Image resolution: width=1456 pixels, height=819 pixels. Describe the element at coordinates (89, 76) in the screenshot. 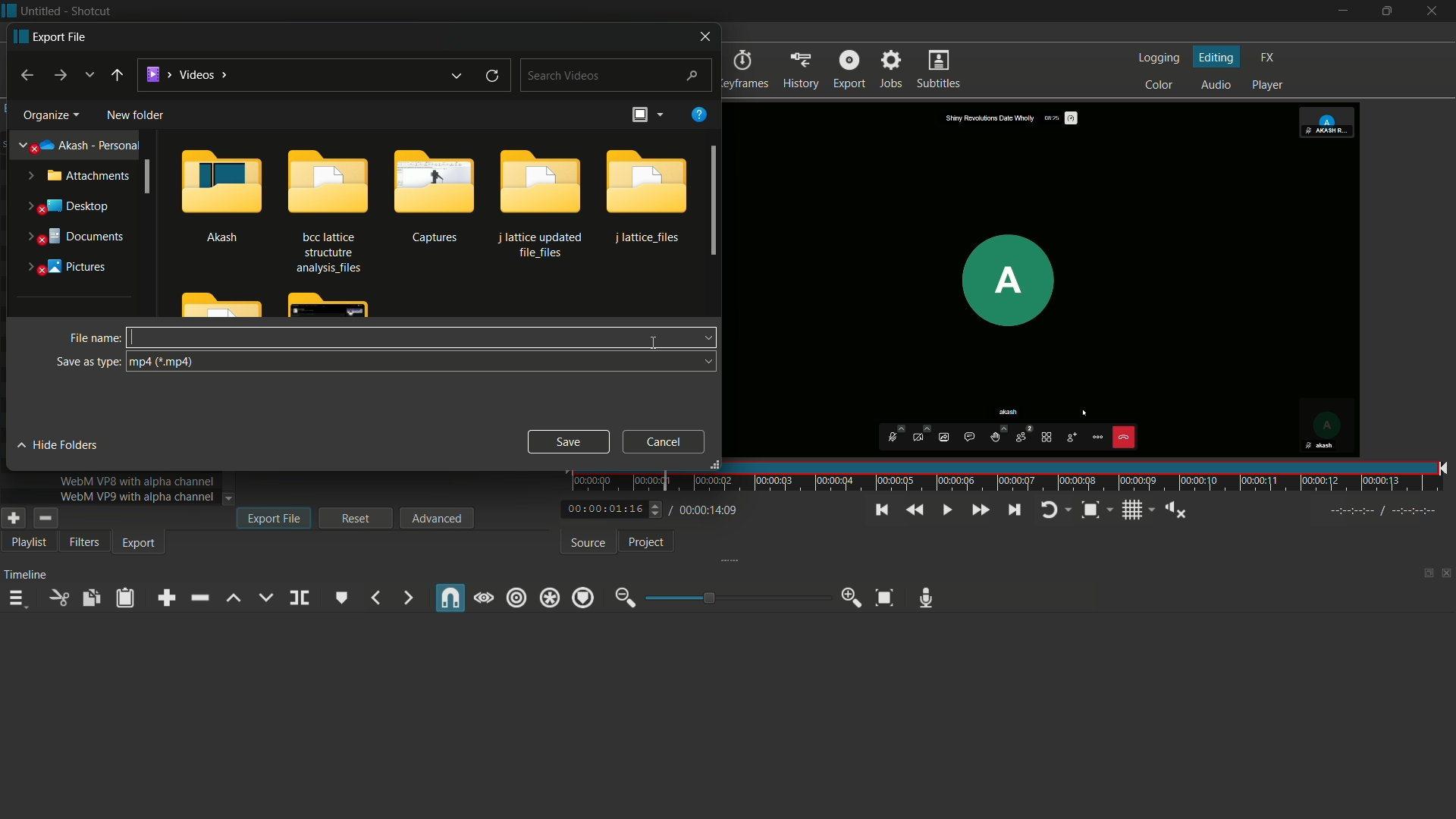

I see `recent locations` at that location.